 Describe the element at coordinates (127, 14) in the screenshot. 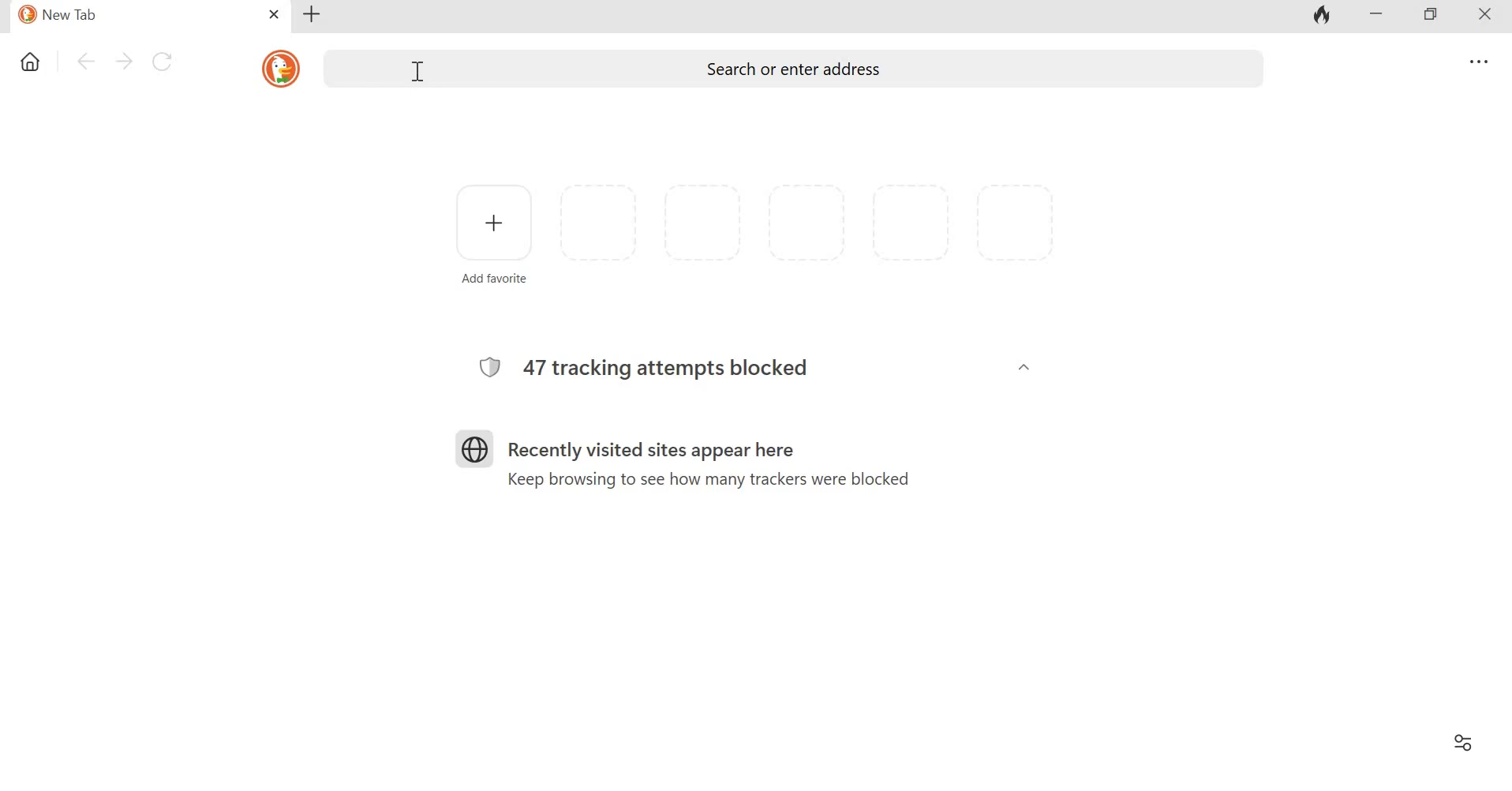

I see `New Tab` at that location.